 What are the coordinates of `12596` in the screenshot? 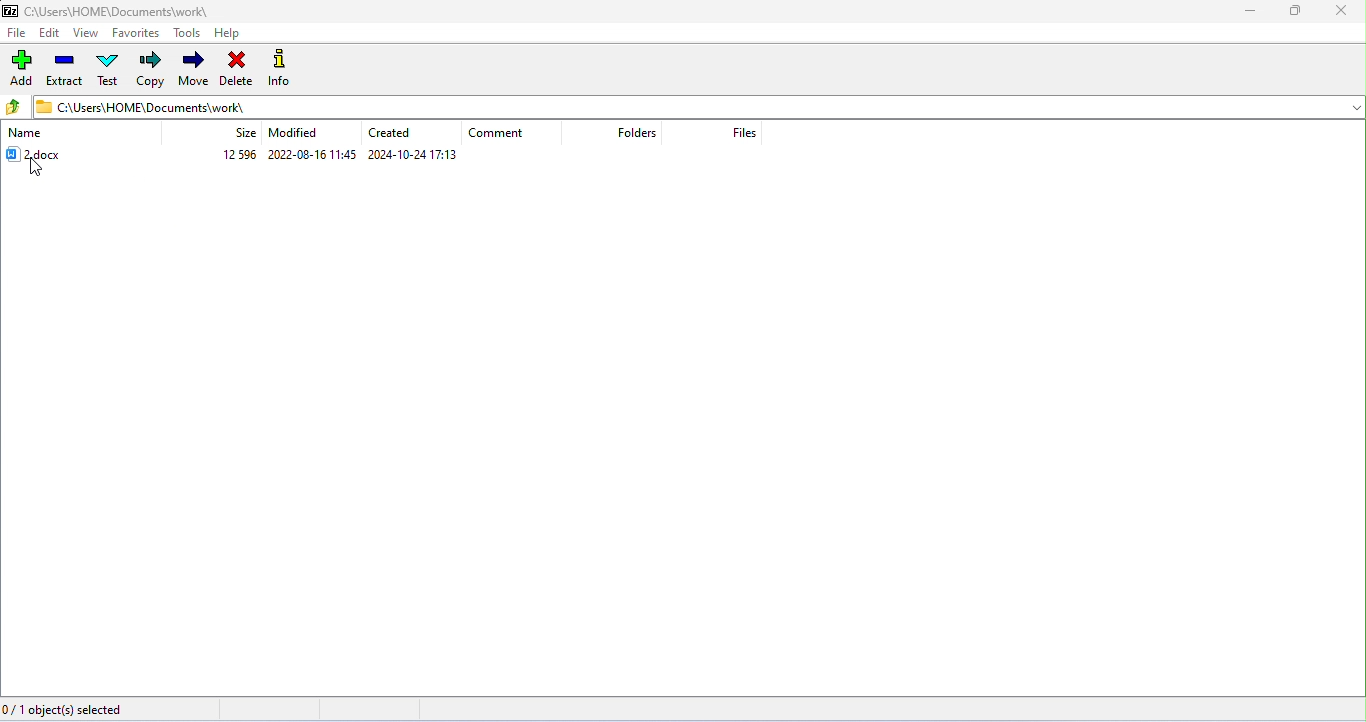 It's located at (240, 154).